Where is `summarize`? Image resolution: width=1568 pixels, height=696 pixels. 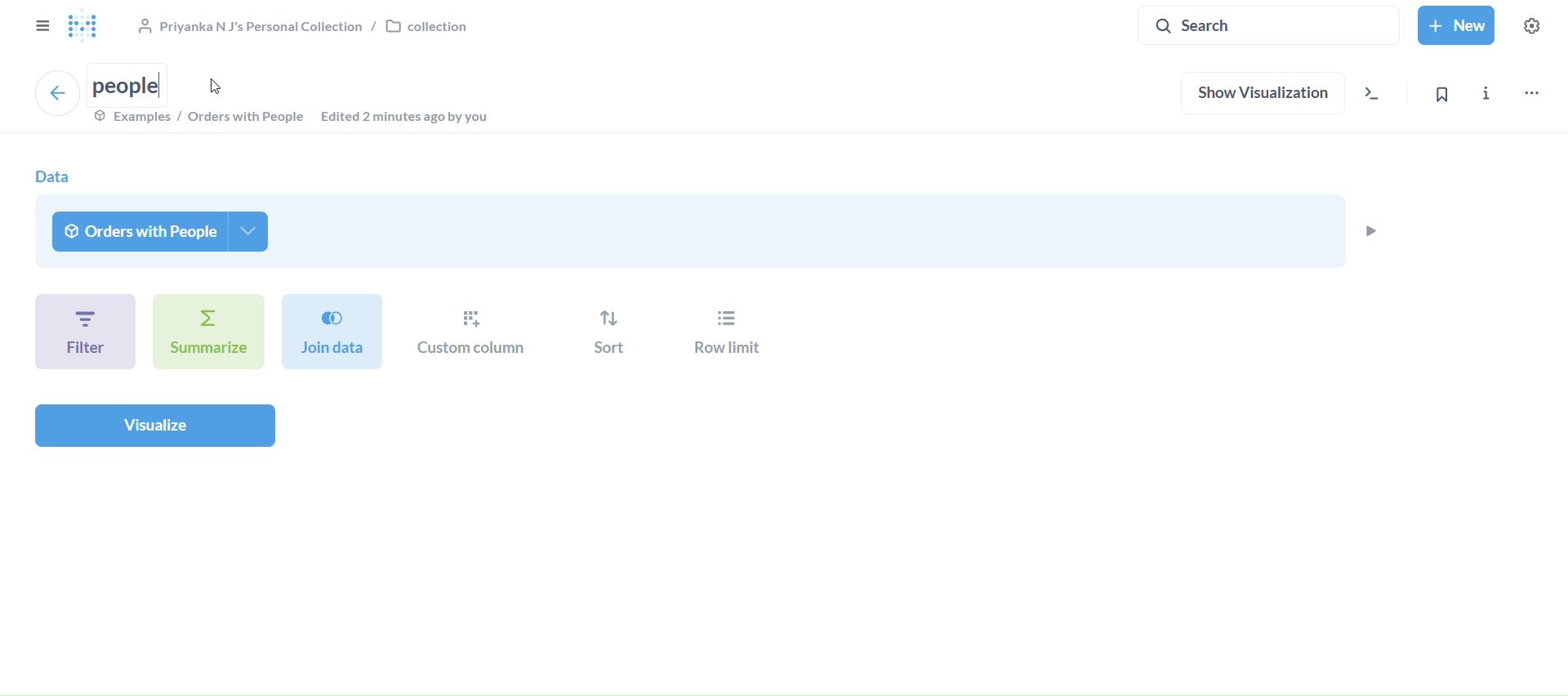
summarize is located at coordinates (208, 332).